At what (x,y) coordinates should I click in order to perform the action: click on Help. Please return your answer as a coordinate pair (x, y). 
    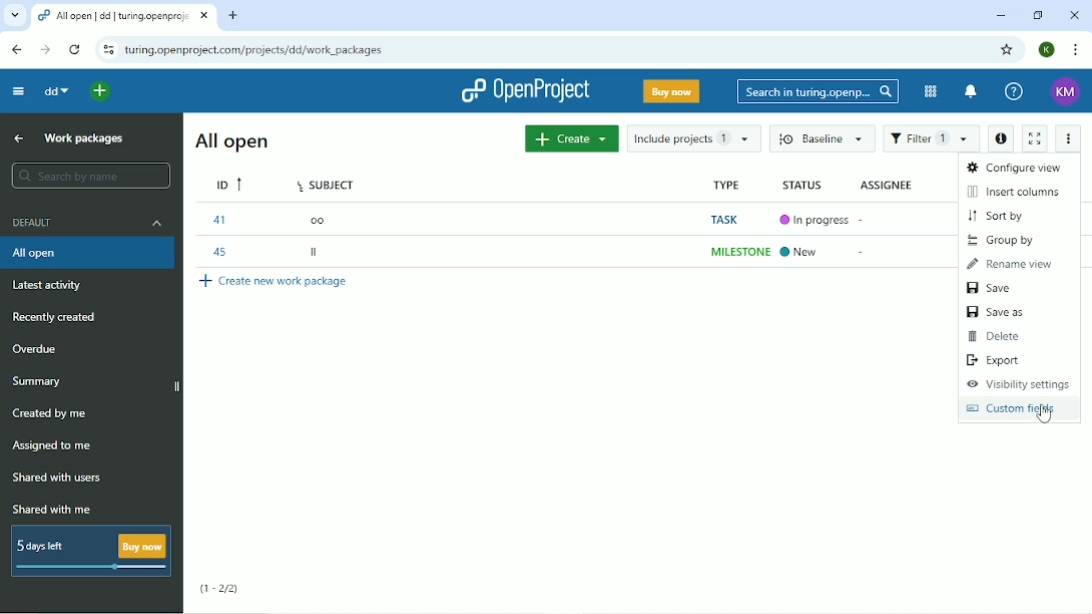
    Looking at the image, I should click on (1013, 92).